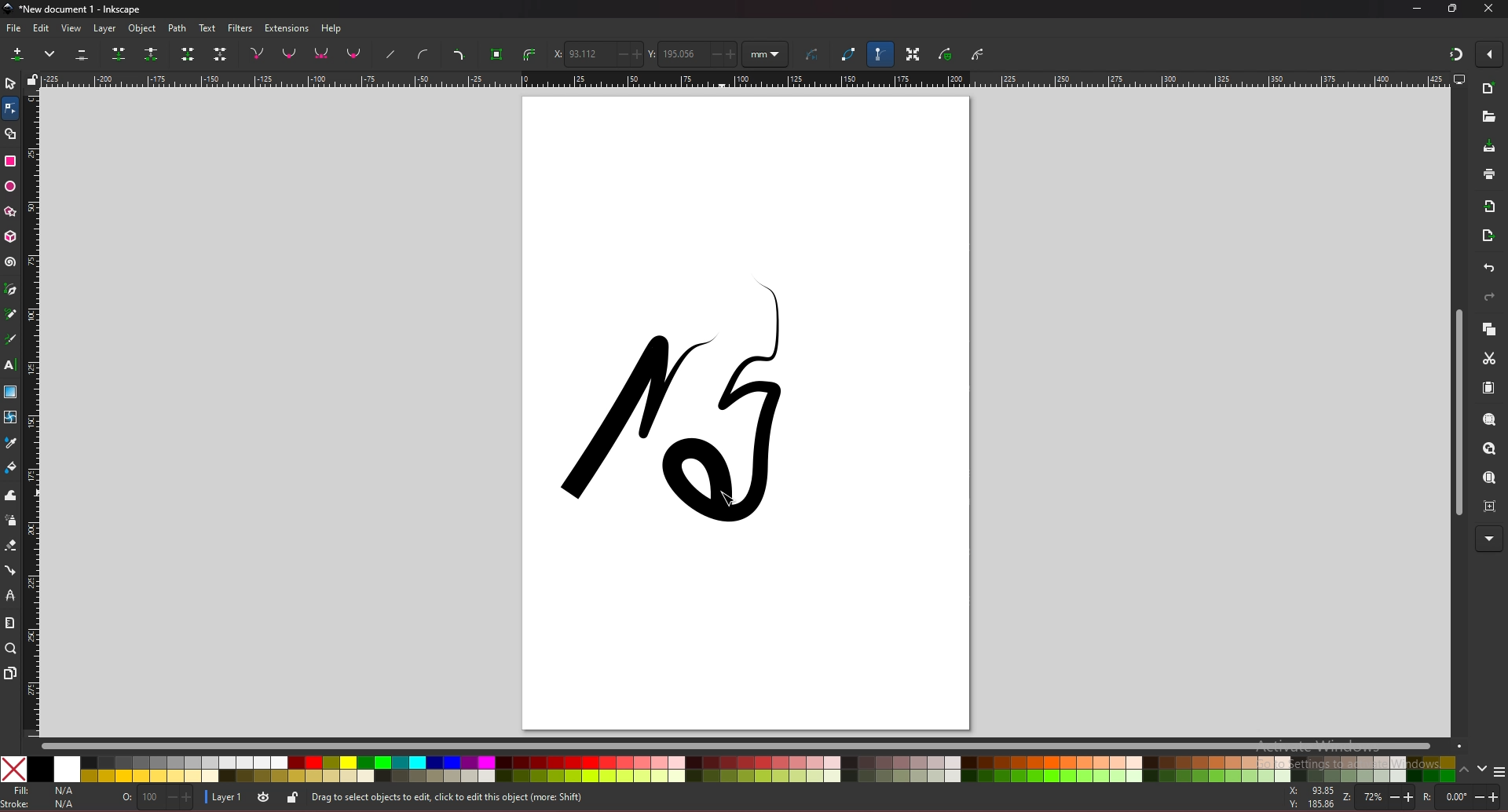 The height and width of the screenshot is (812, 1508). Describe the element at coordinates (108, 29) in the screenshot. I see `layer` at that location.